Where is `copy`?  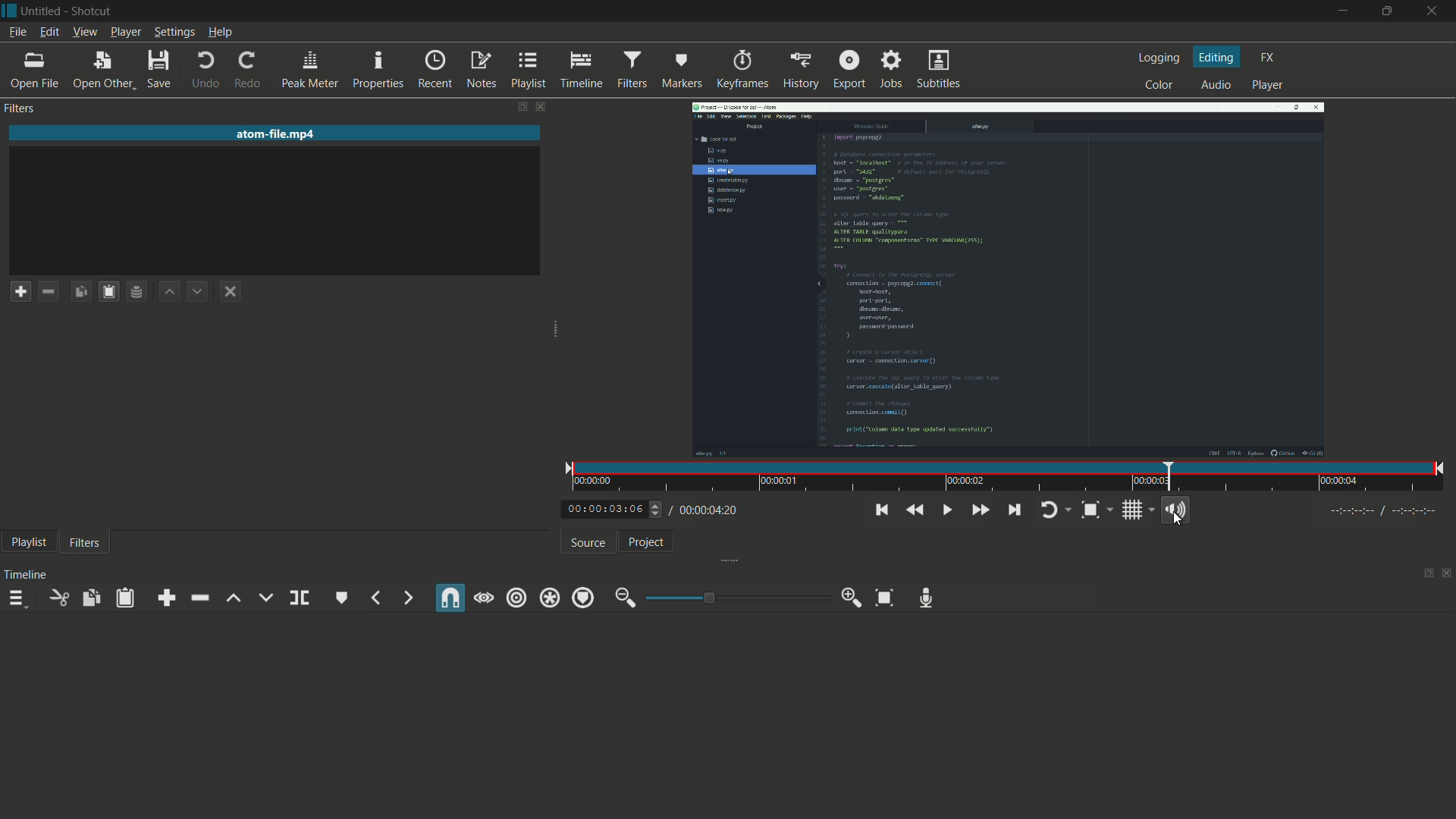
copy is located at coordinates (92, 599).